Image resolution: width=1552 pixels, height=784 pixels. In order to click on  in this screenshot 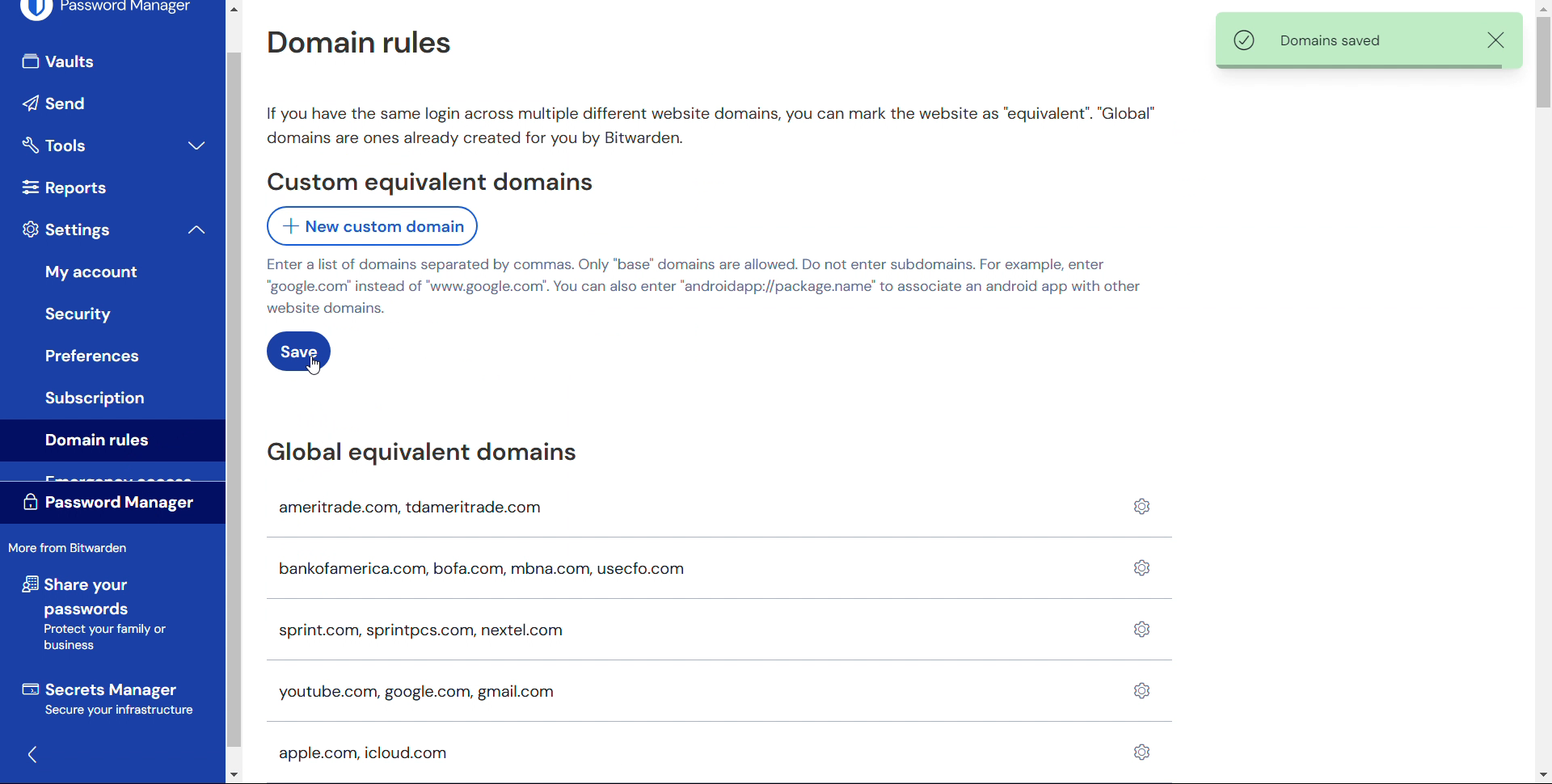, I will do `click(91, 356)`.